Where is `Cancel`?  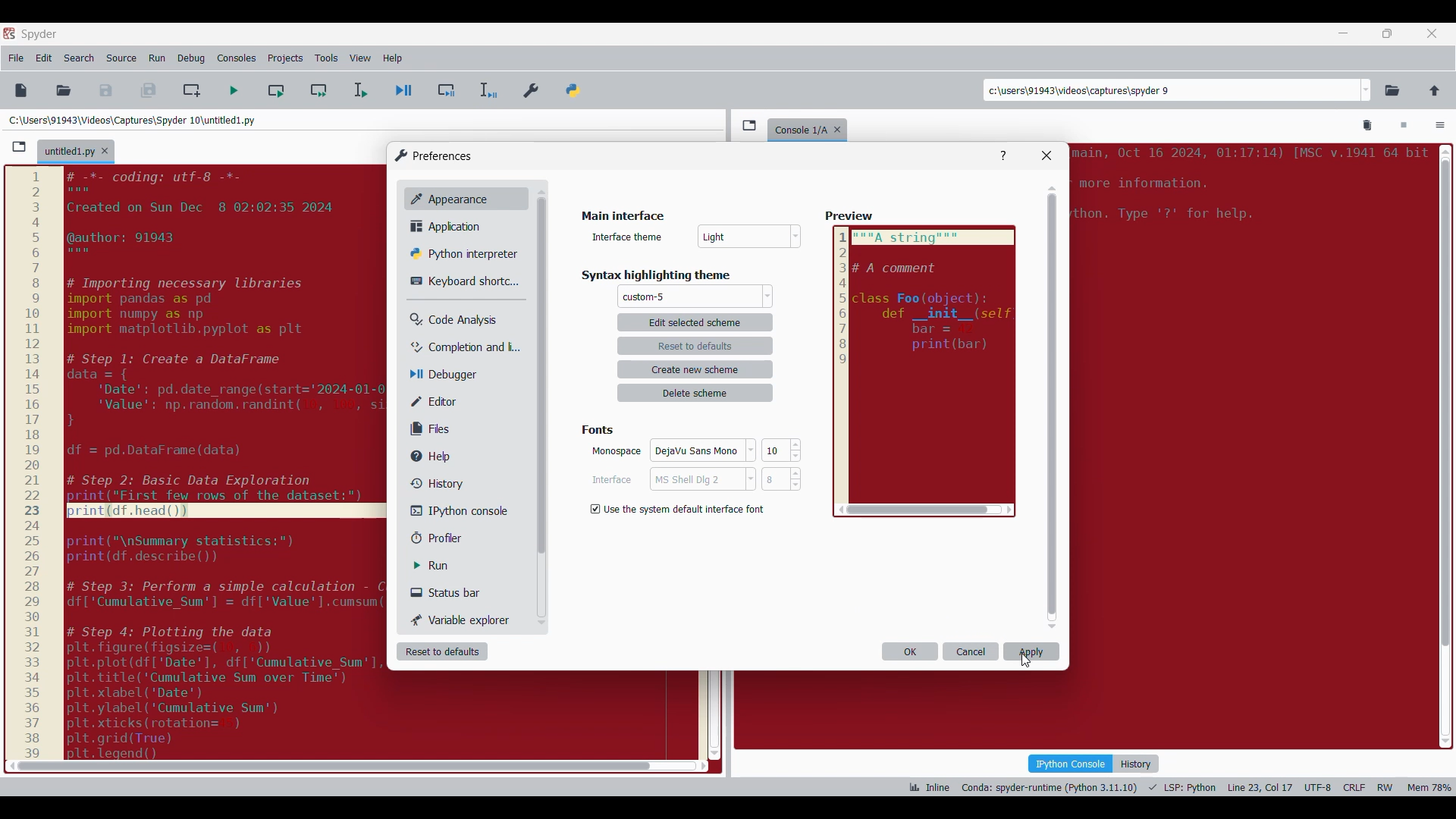
Cancel is located at coordinates (971, 651).